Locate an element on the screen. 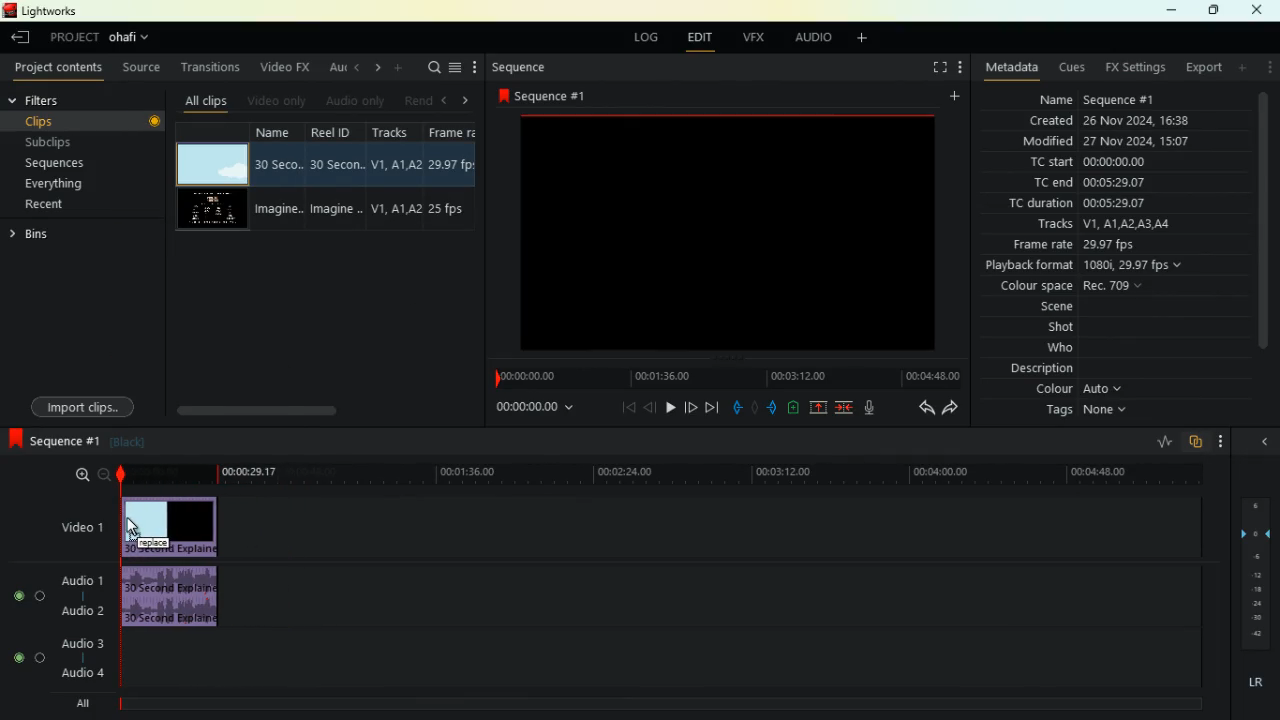 This screenshot has height=720, width=1280. 30 seco is located at coordinates (277, 166).